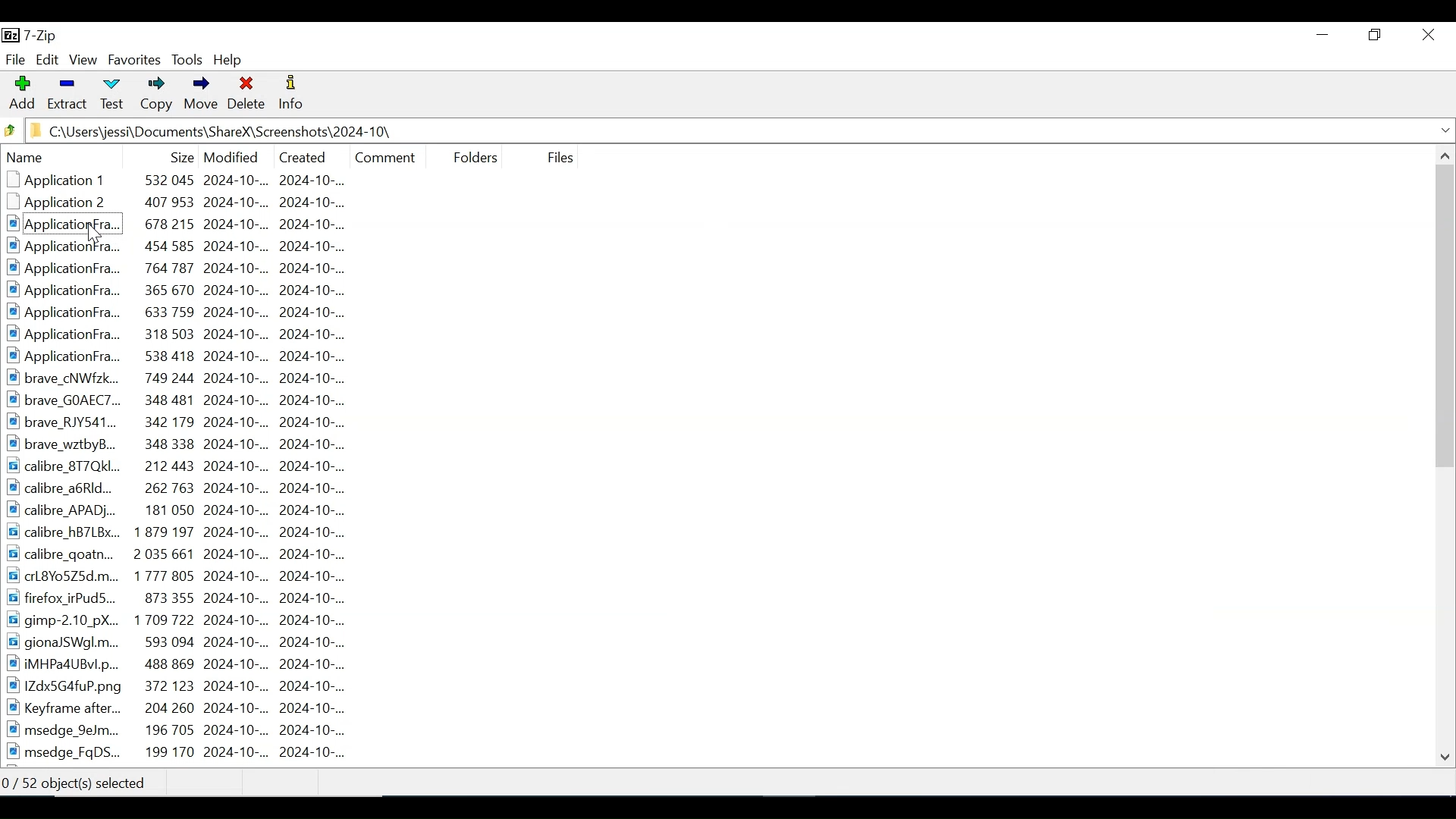 The width and height of the screenshot is (1456, 819). Describe the element at coordinates (187, 596) in the screenshot. I see `firefox irPudS... 873 355 2024-10-.. 2024-10-...` at that location.